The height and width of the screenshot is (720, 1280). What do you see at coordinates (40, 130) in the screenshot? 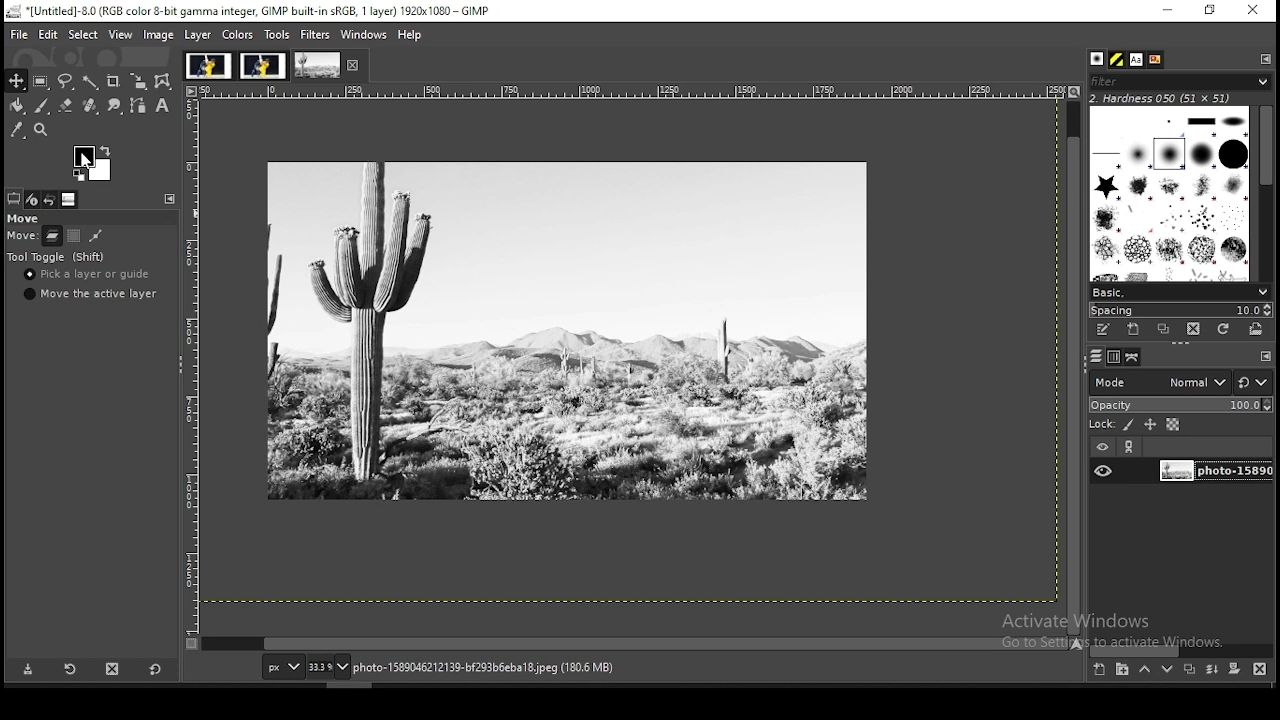
I see `zoom tool` at bounding box center [40, 130].